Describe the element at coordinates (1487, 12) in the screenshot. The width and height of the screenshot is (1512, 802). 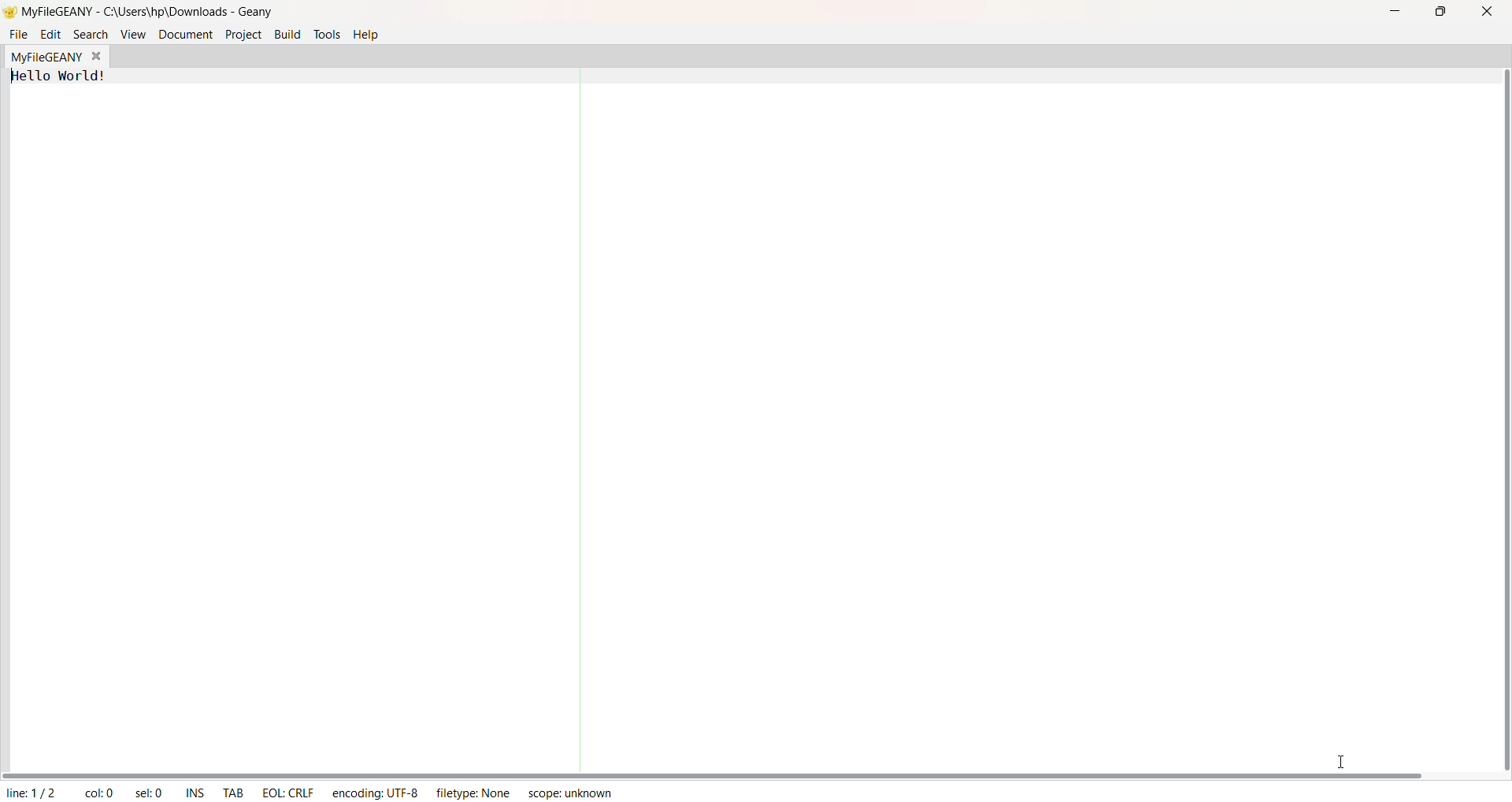
I see `Close` at that location.